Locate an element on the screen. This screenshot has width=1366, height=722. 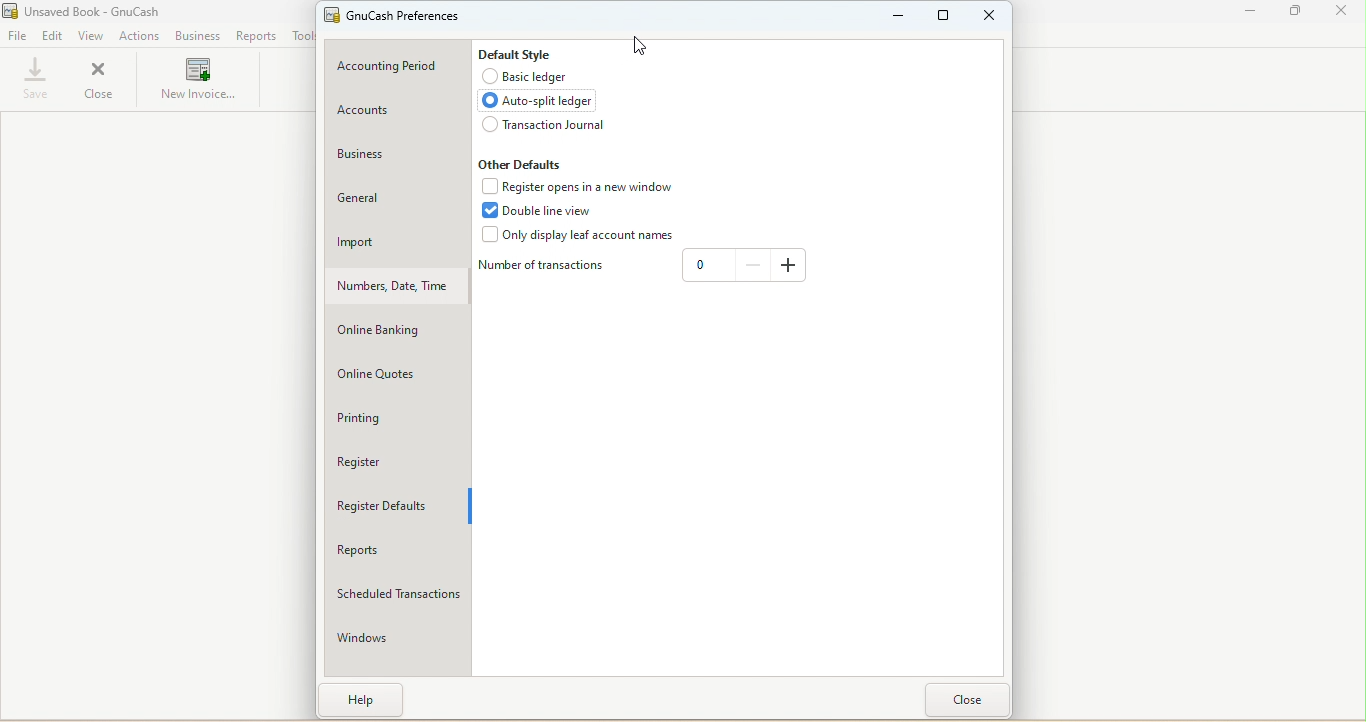
Register opens in a new window is located at coordinates (602, 185).